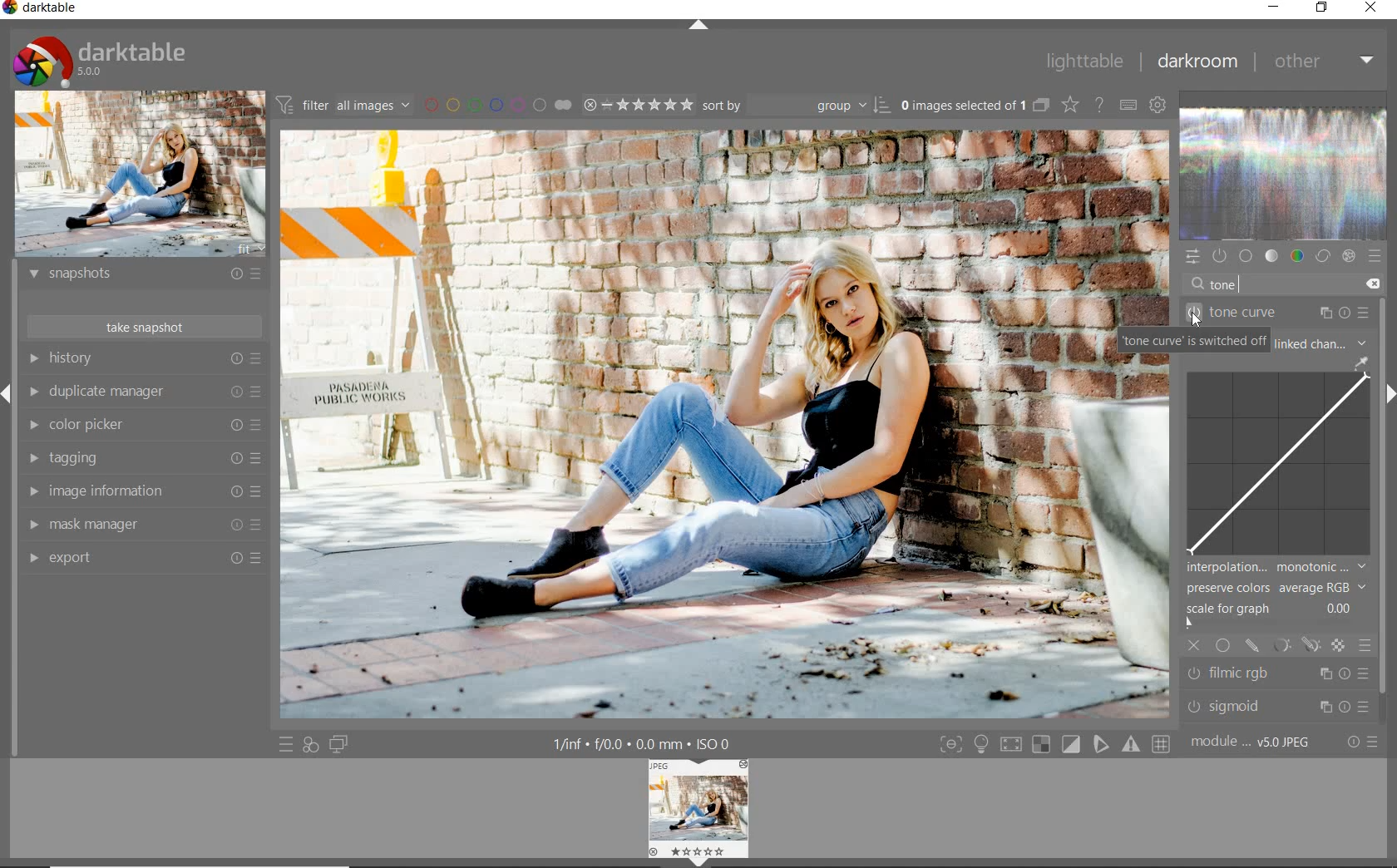 Image resolution: width=1397 pixels, height=868 pixels. Describe the element at coordinates (1083, 64) in the screenshot. I see `lighttable` at that location.